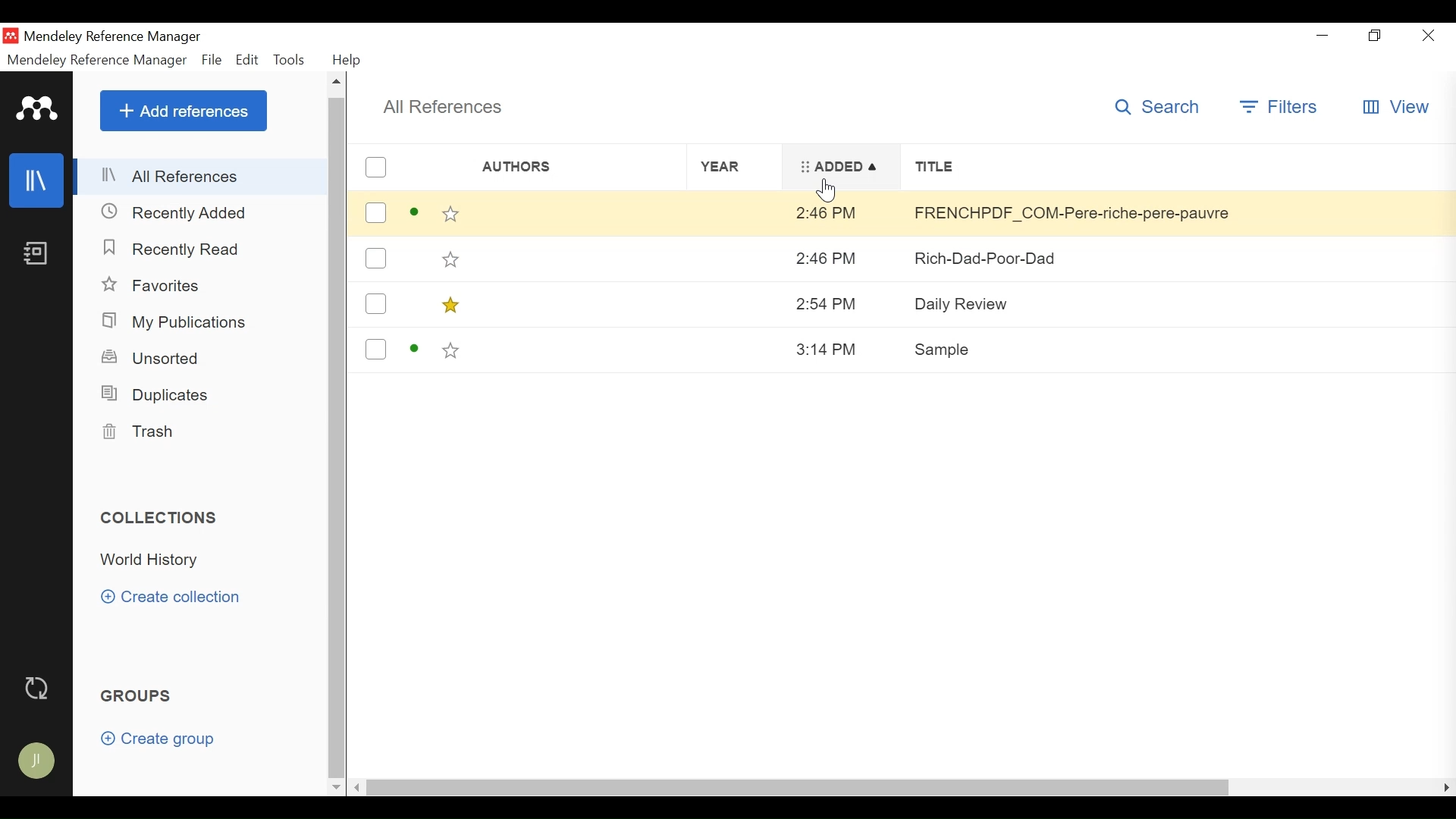 The height and width of the screenshot is (819, 1456). I want to click on Create Collection, so click(176, 597).